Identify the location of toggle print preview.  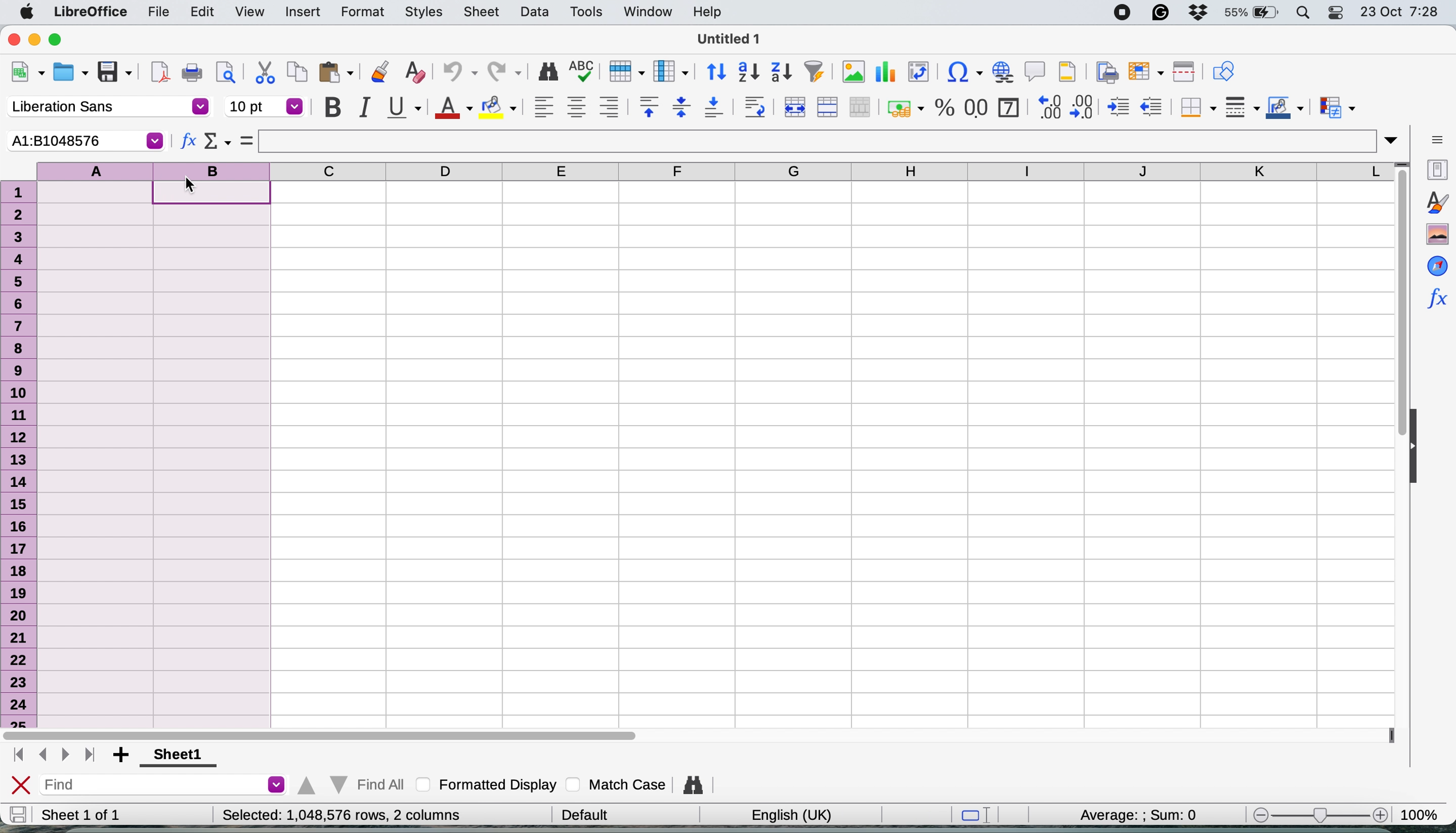
(228, 73).